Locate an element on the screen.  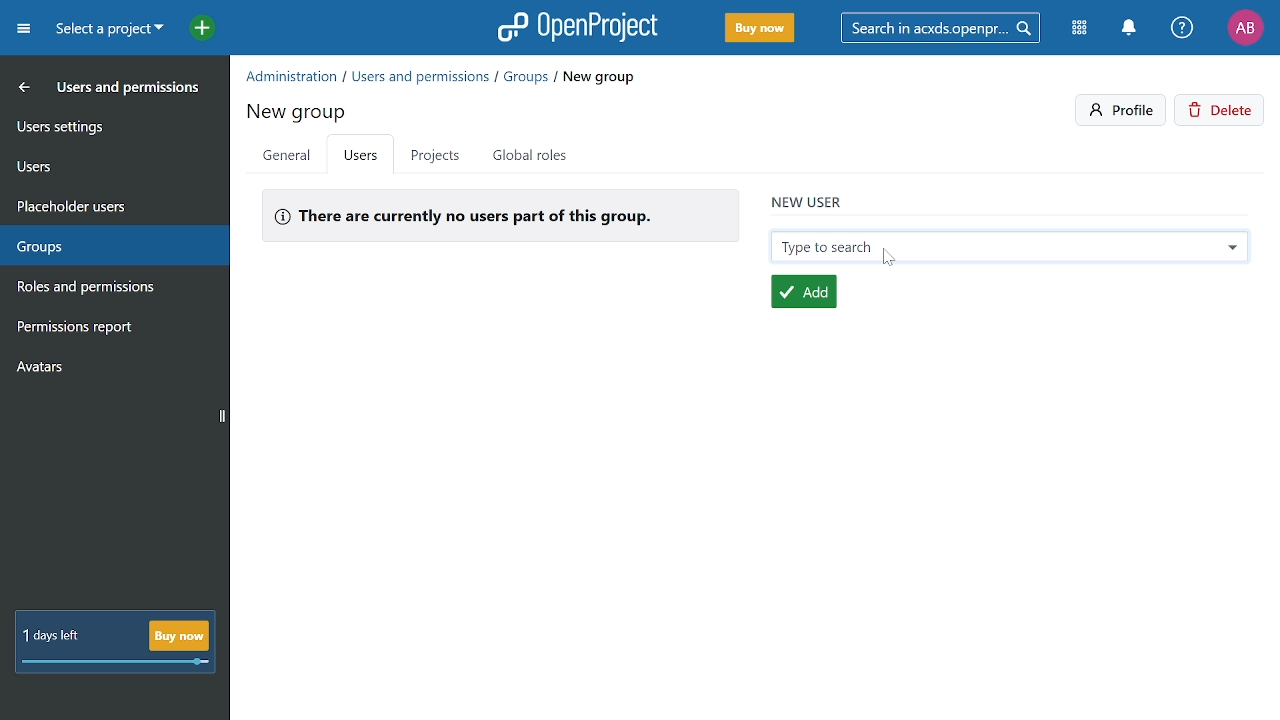
Search is located at coordinates (947, 27).